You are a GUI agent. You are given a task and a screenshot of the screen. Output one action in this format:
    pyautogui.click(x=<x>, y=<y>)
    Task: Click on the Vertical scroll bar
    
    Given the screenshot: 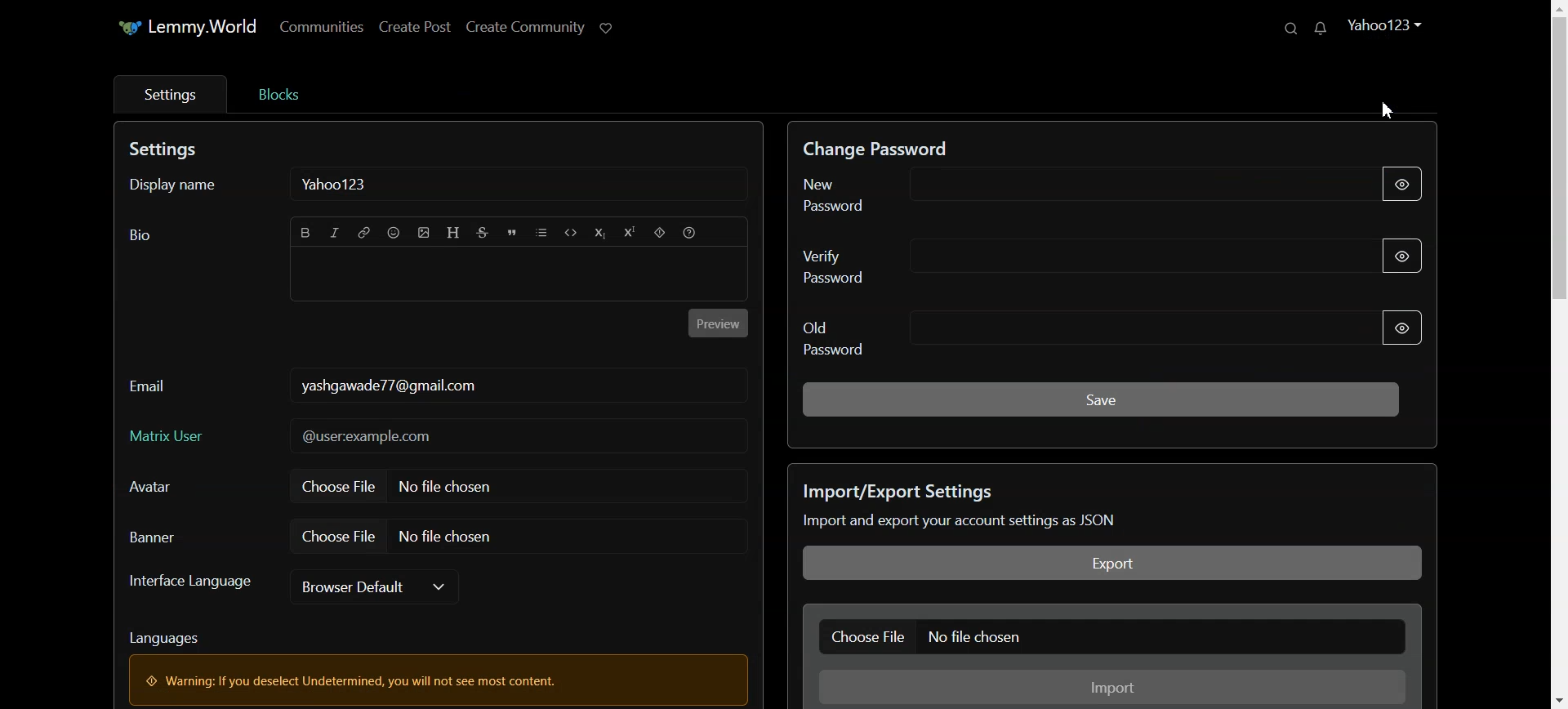 What is the action you would take?
    pyautogui.click(x=1558, y=354)
    